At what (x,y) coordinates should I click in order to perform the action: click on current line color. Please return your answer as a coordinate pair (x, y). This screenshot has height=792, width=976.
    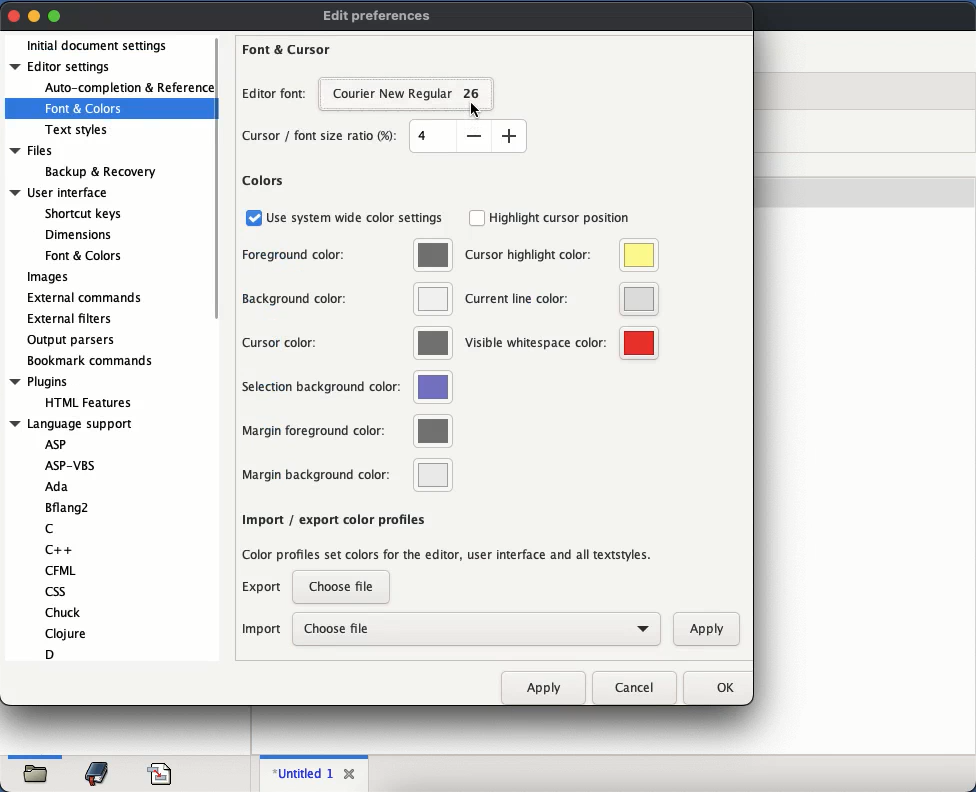
    Looking at the image, I should click on (532, 301).